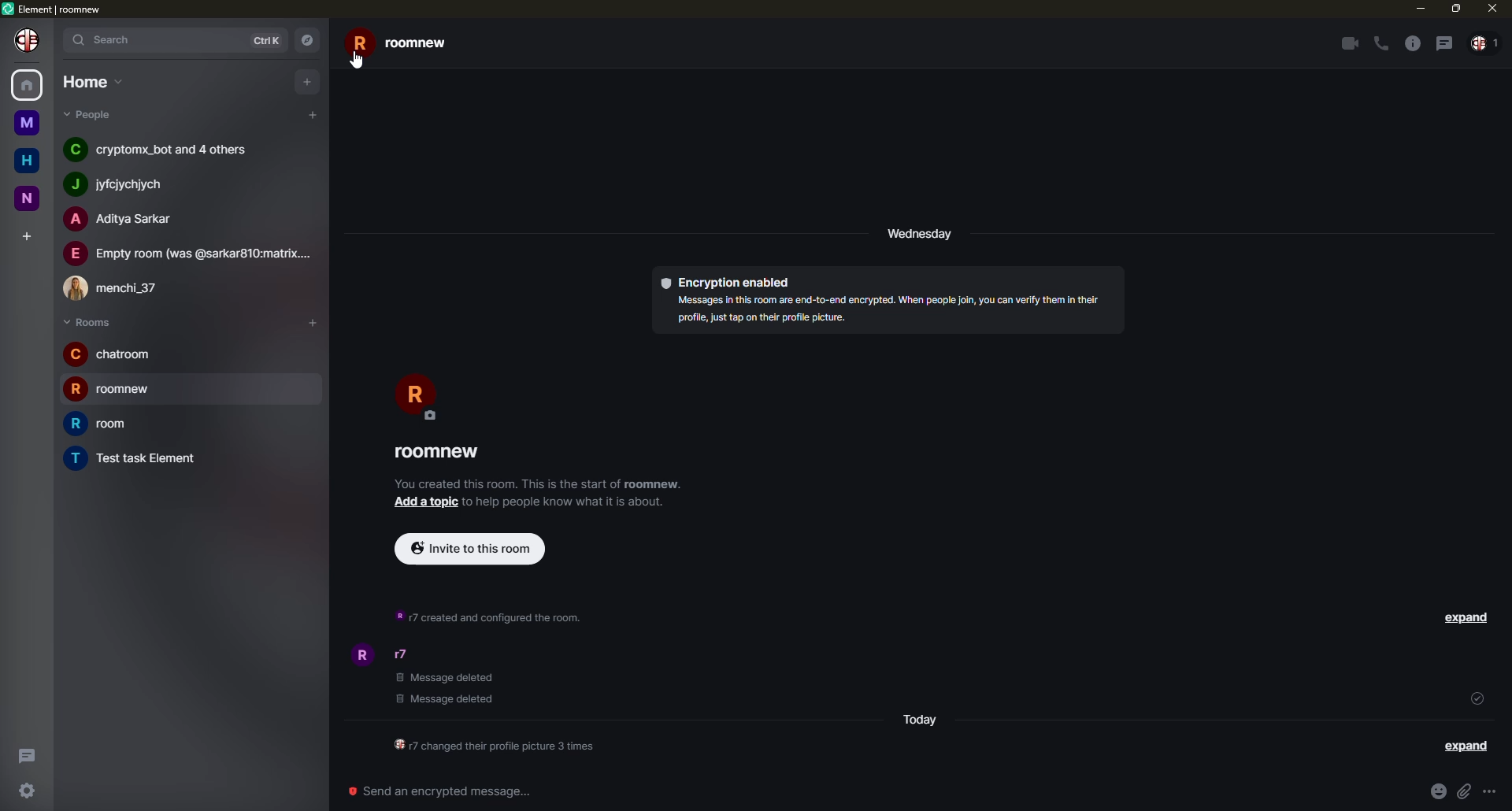 The width and height of the screenshot is (1512, 811). What do you see at coordinates (492, 615) in the screenshot?
I see `configured the room` at bounding box center [492, 615].